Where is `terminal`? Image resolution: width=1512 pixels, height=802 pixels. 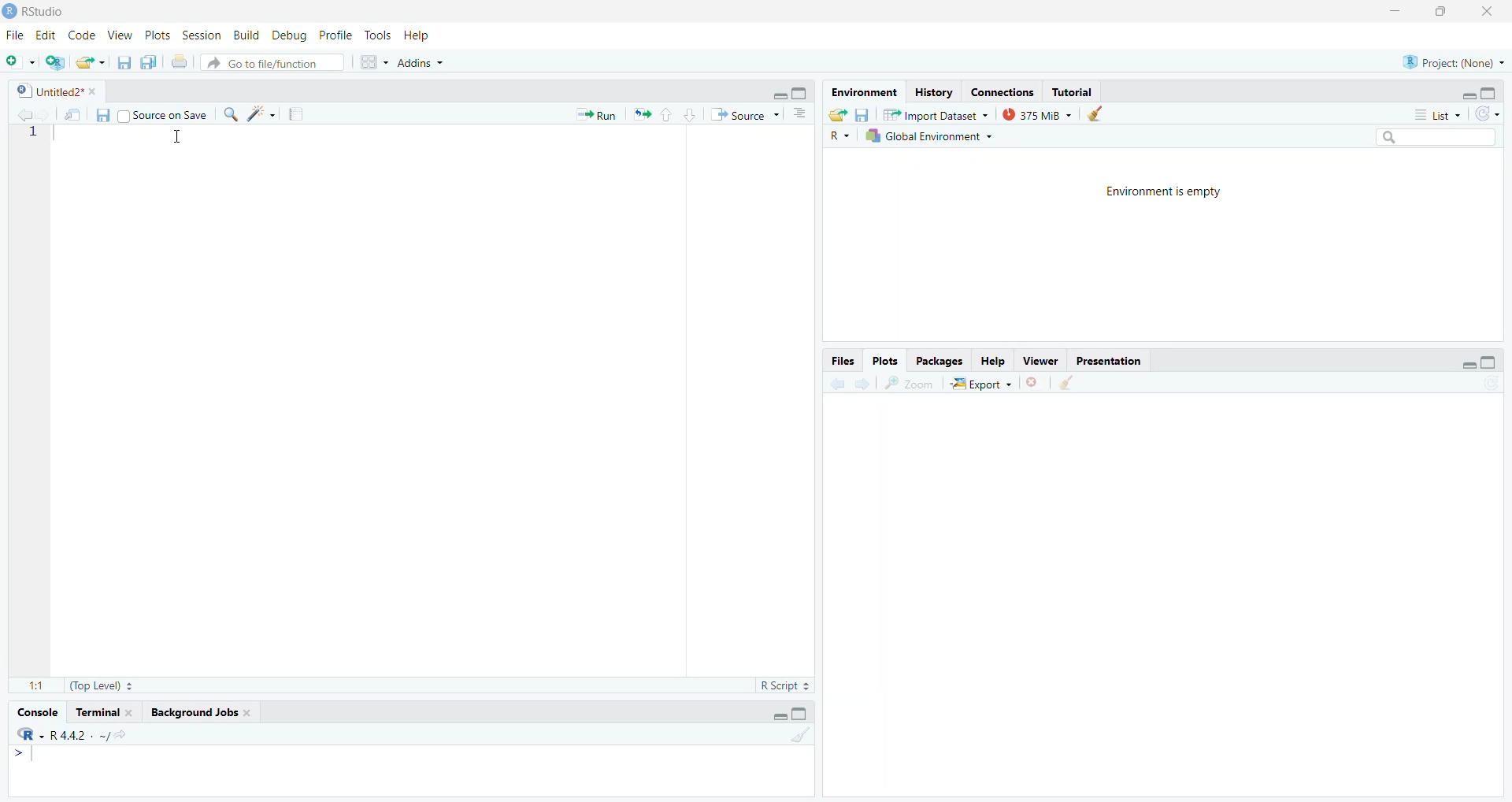
terminal is located at coordinates (106, 711).